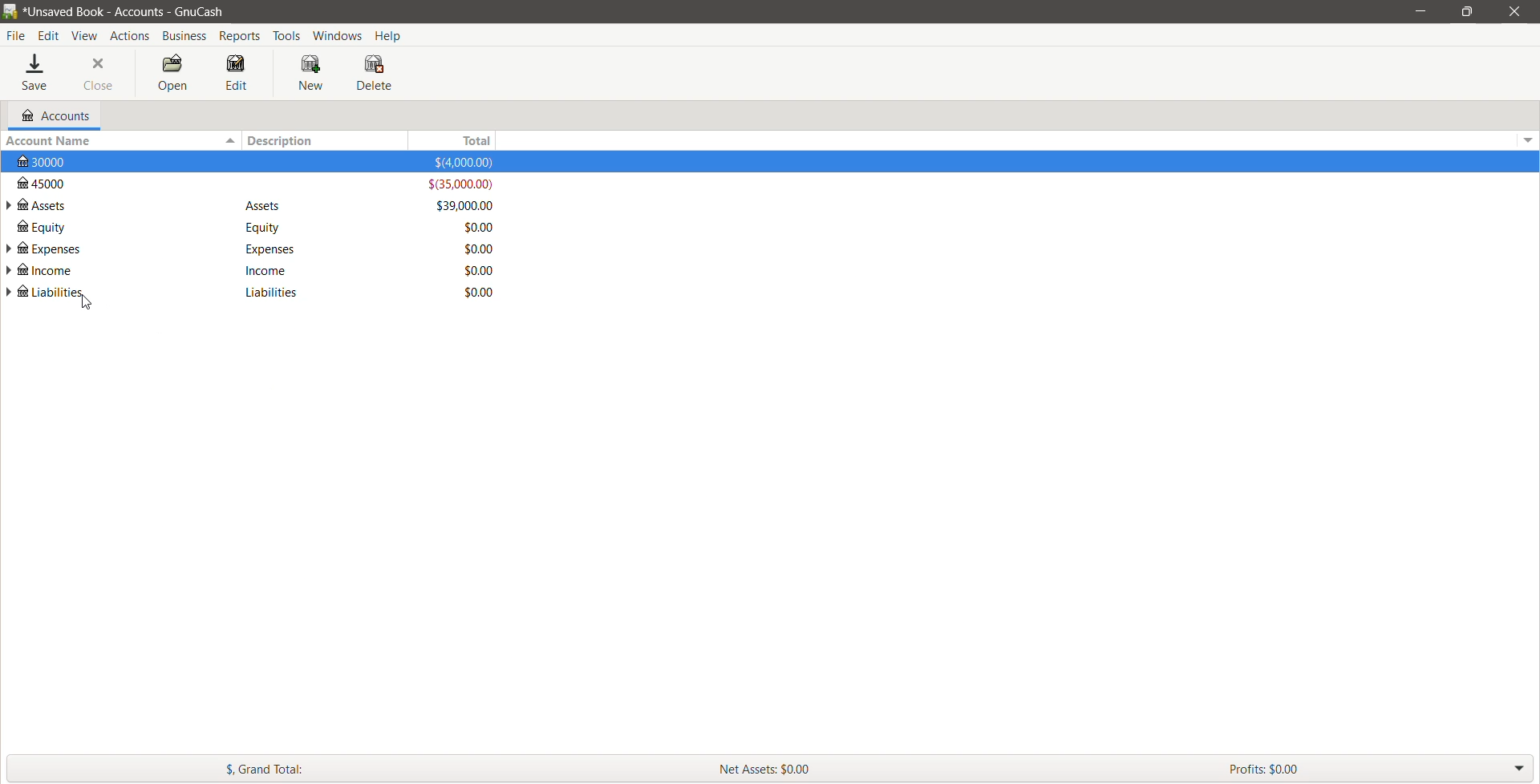 This screenshot has height=784, width=1540. I want to click on Grand Total, so click(349, 768).